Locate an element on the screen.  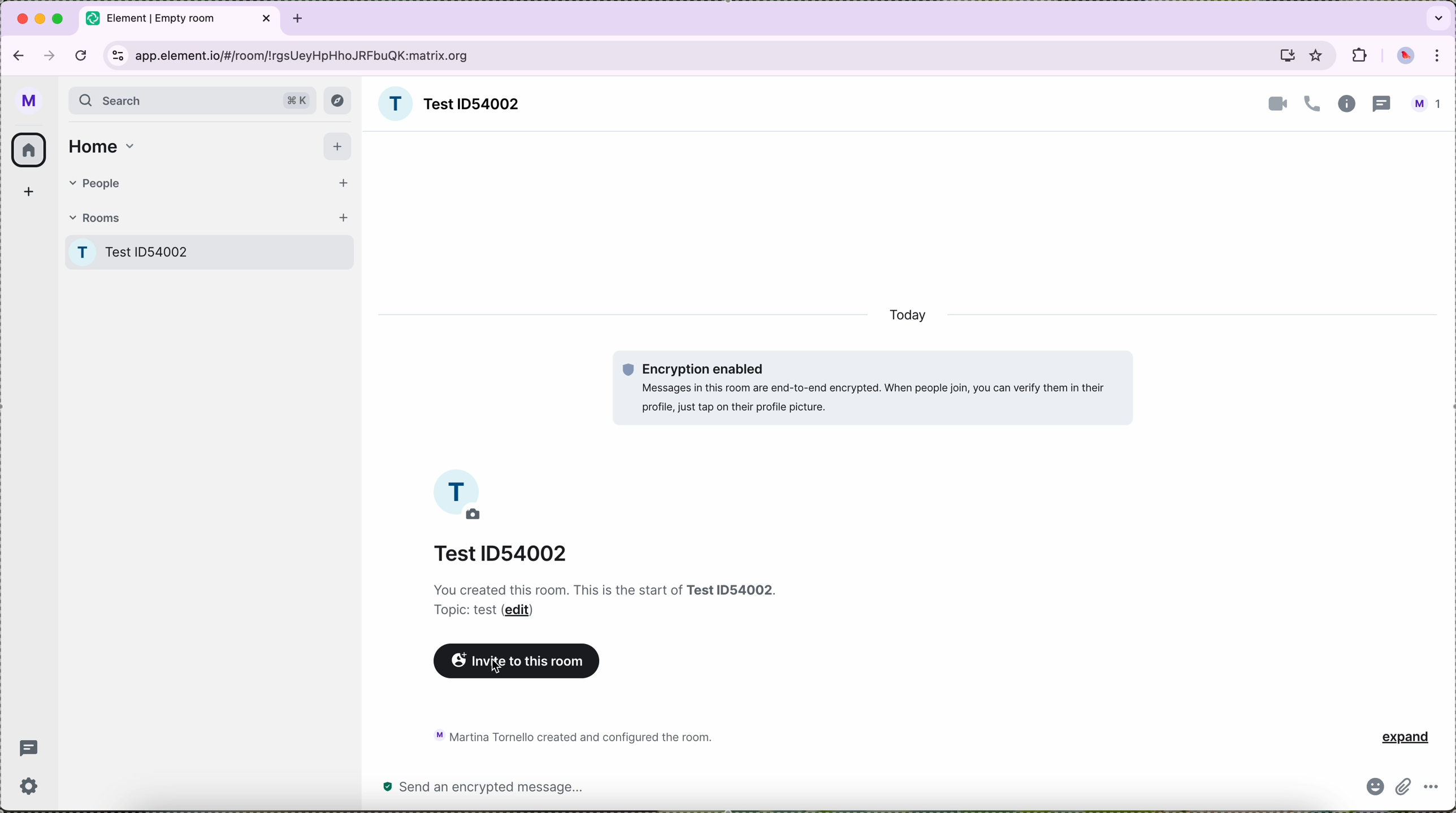
rooms tab is located at coordinates (209, 215).